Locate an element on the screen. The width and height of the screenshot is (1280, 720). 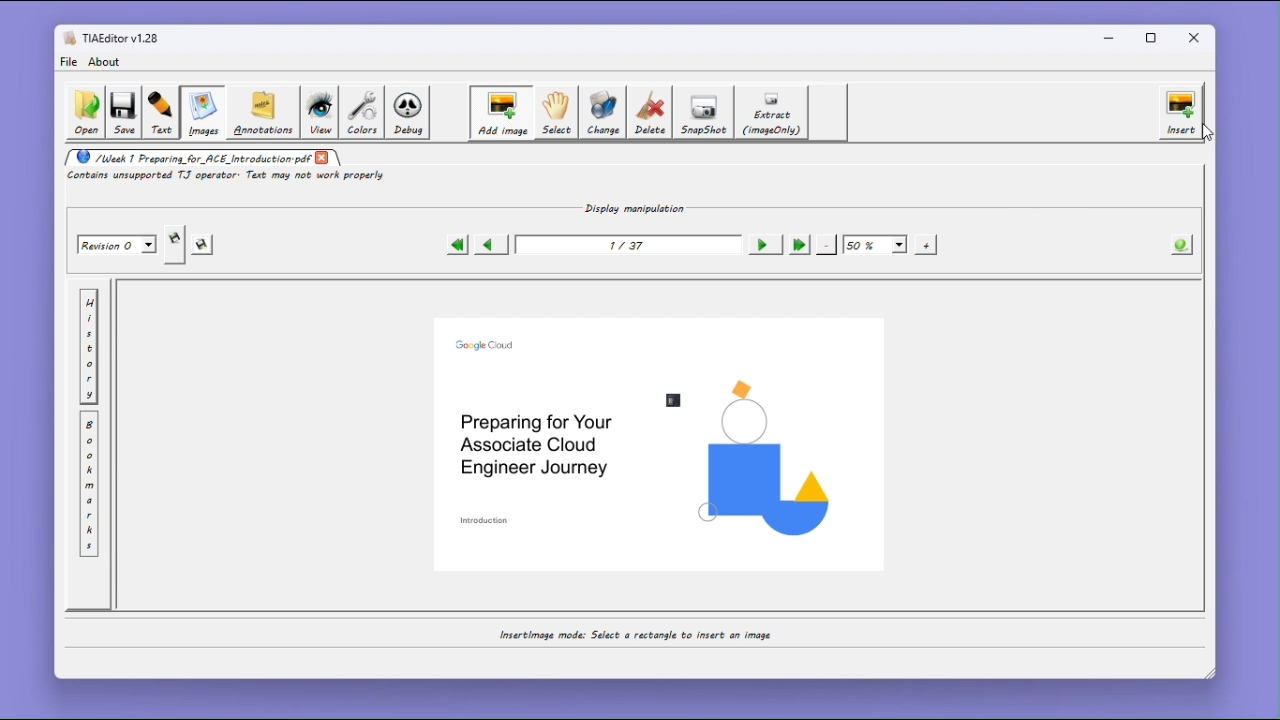
minimize  is located at coordinates (1109, 37).